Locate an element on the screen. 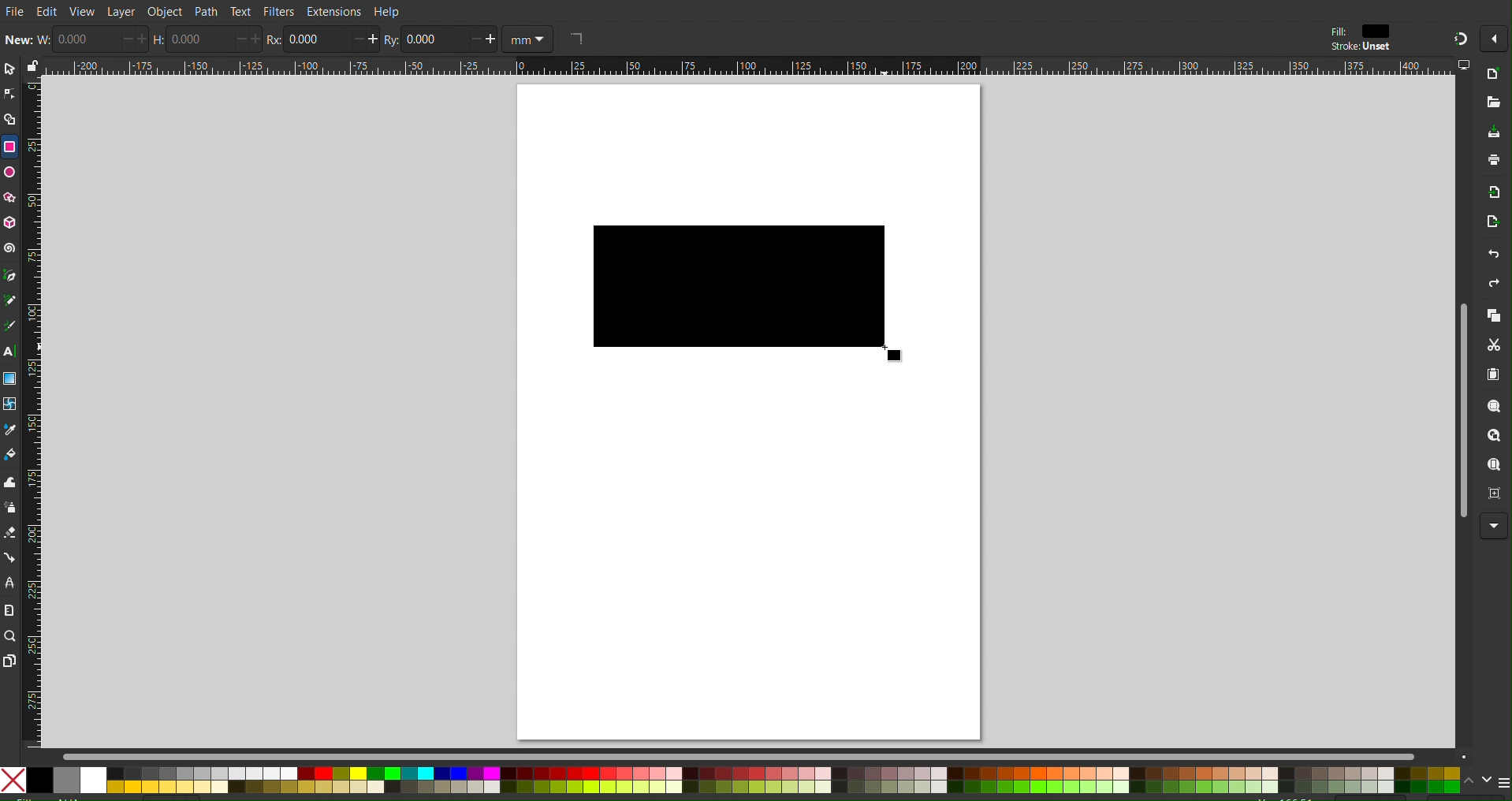 The width and height of the screenshot is (1512, 801). rectangle shape is located at coordinates (575, 38).